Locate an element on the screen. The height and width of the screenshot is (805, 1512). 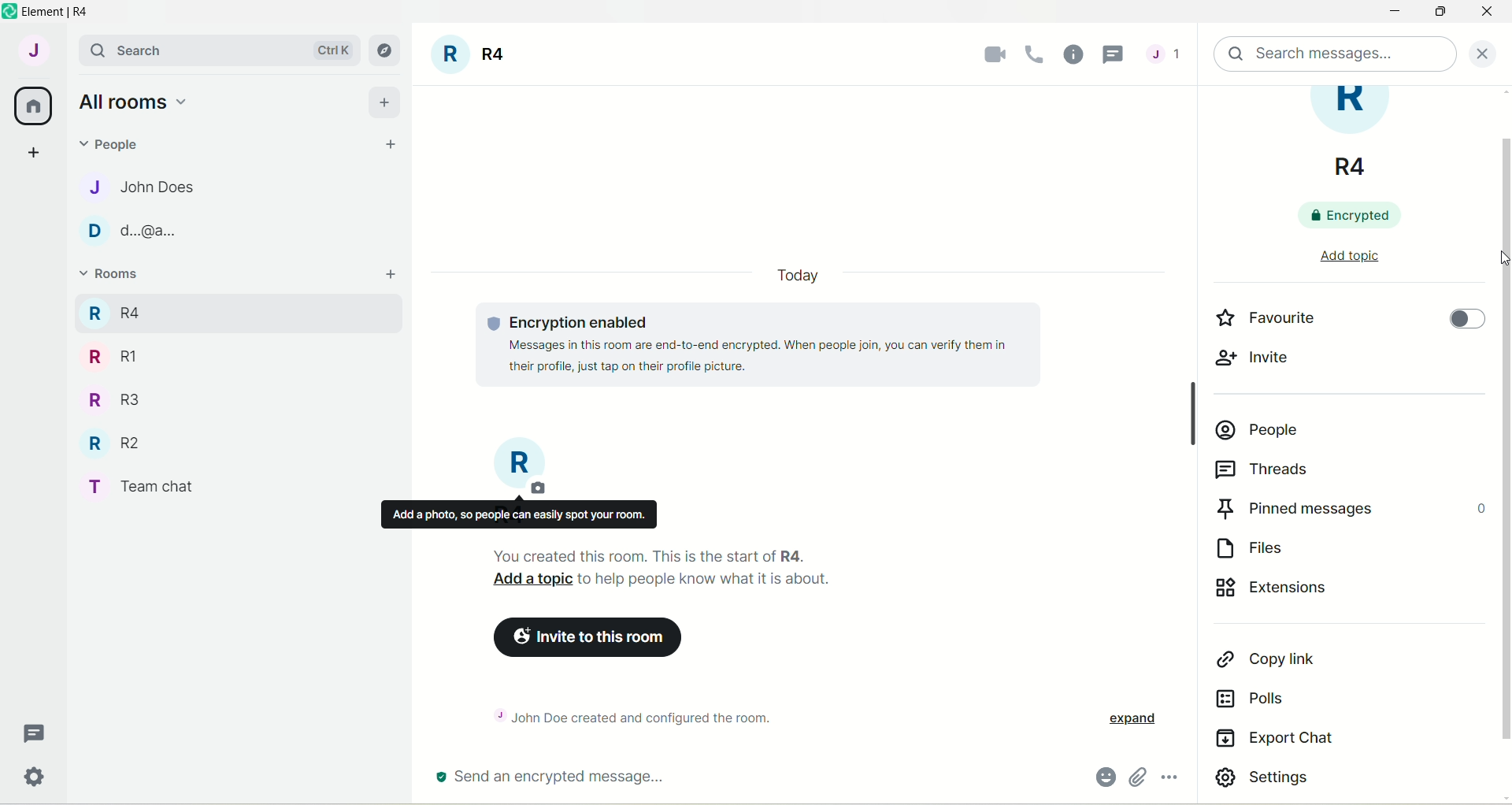
explore rooms is located at coordinates (386, 50).